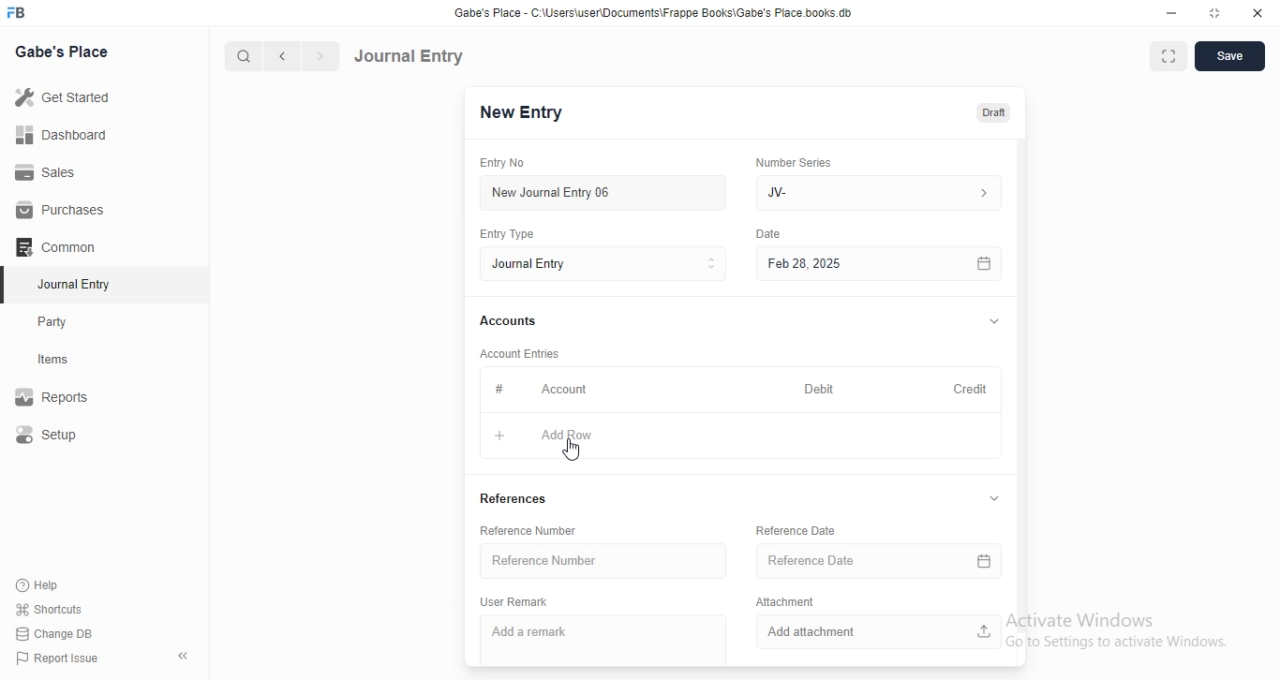  Describe the element at coordinates (514, 233) in the screenshot. I see `Entry Type` at that location.